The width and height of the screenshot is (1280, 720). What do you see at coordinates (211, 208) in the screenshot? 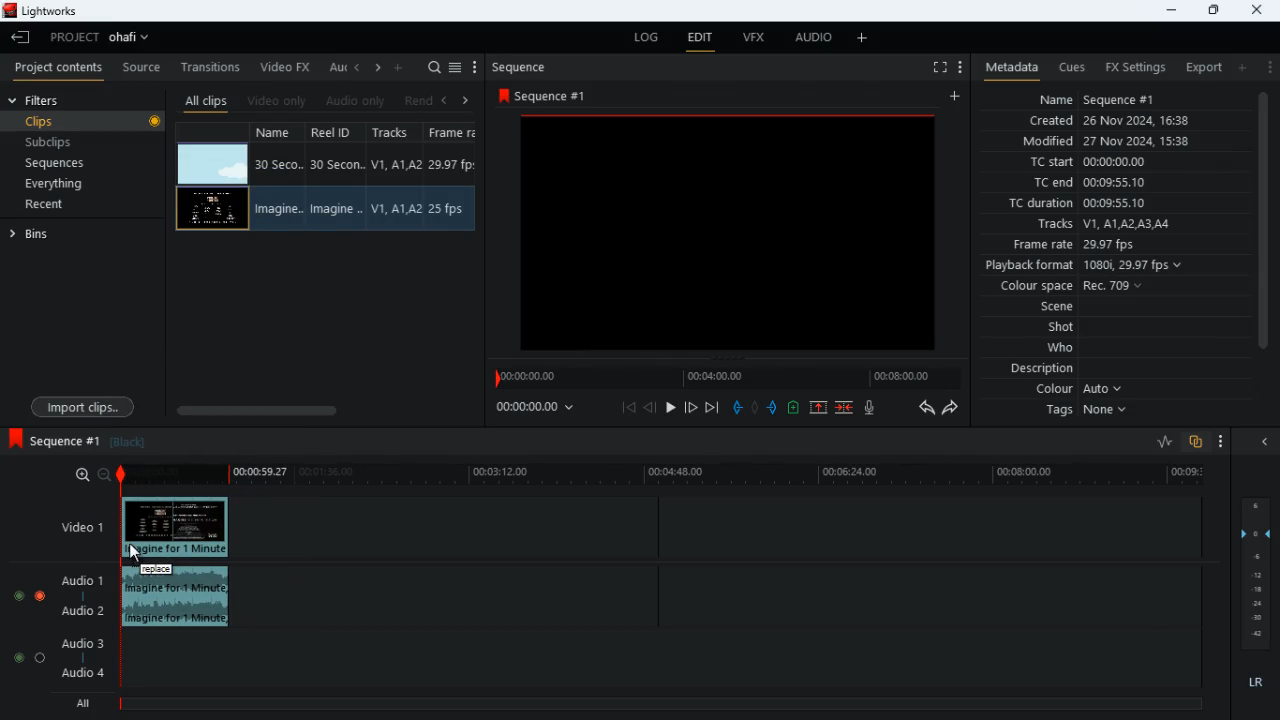
I see `videos` at bounding box center [211, 208].